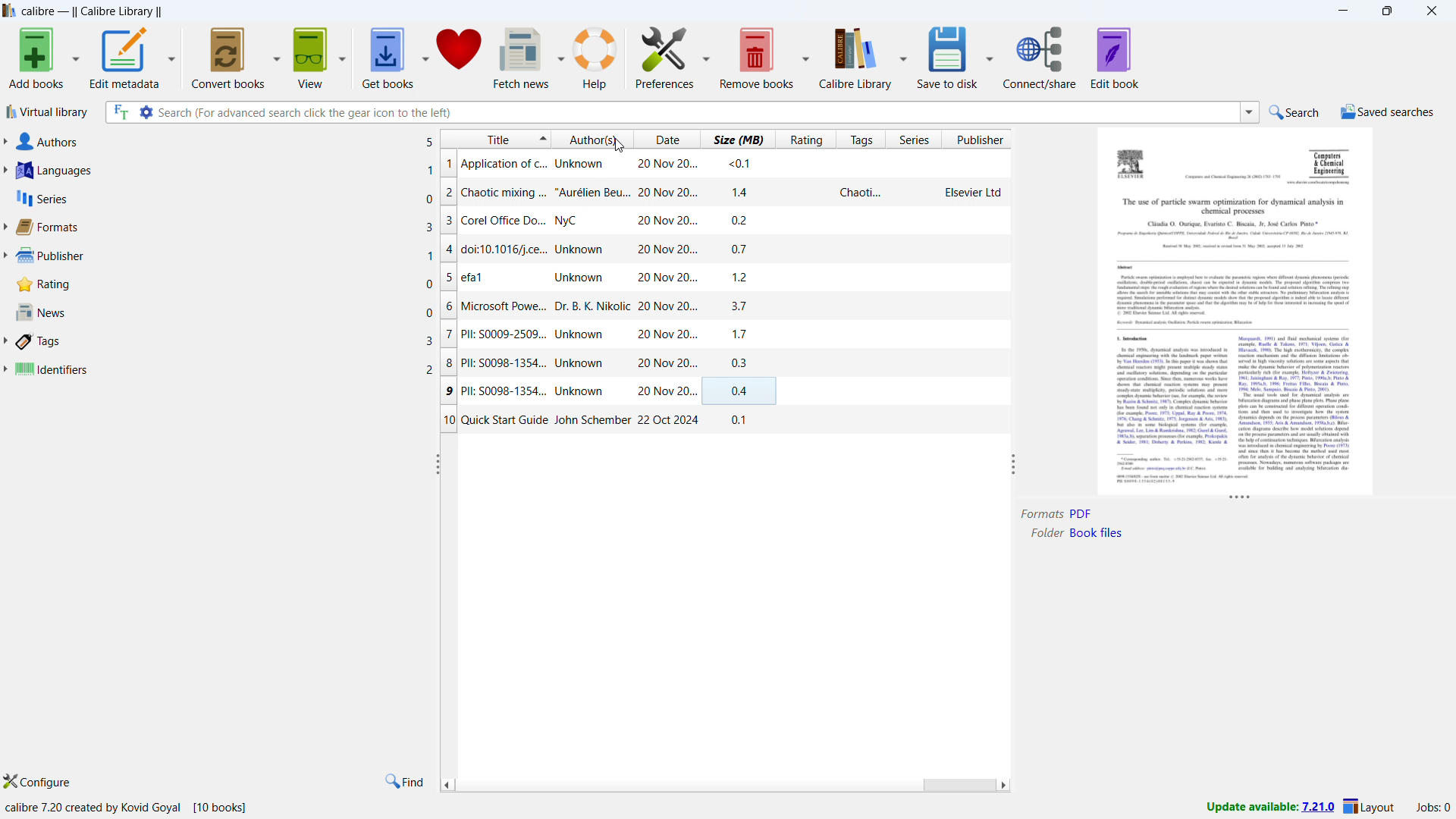 The height and width of the screenshot is (819, 1456). I want to click on minimize, so click(1342, 10).